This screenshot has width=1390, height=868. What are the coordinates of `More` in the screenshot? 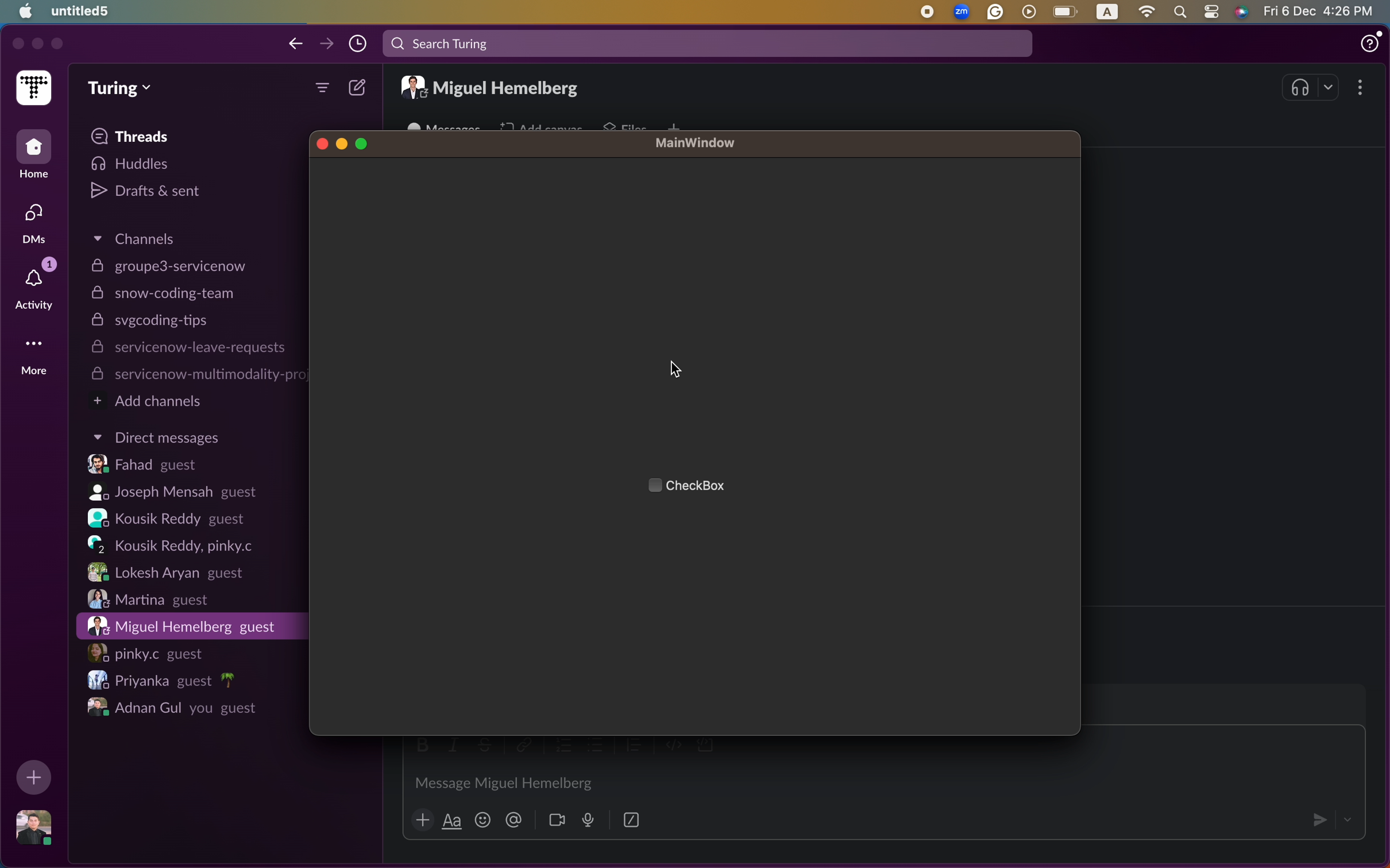 It's located at (33, 355).